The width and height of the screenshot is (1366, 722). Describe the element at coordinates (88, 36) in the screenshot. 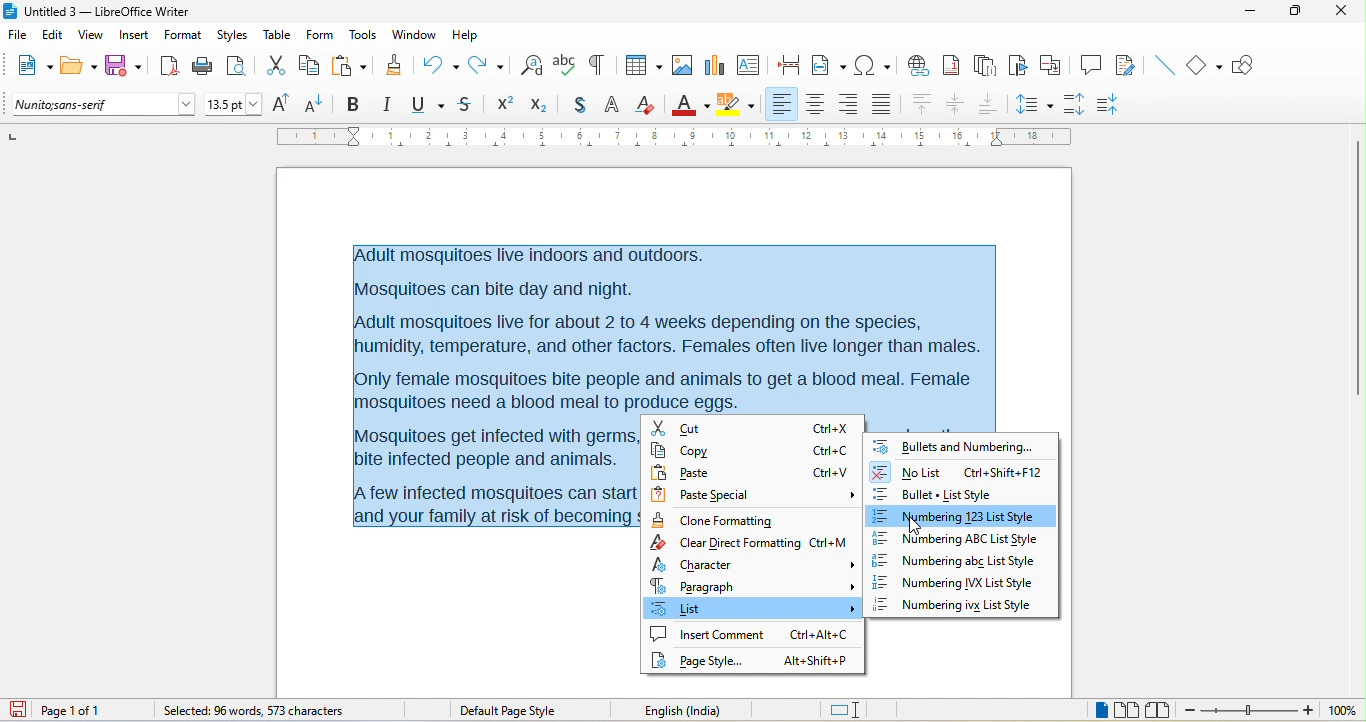

I see `view` at that location.